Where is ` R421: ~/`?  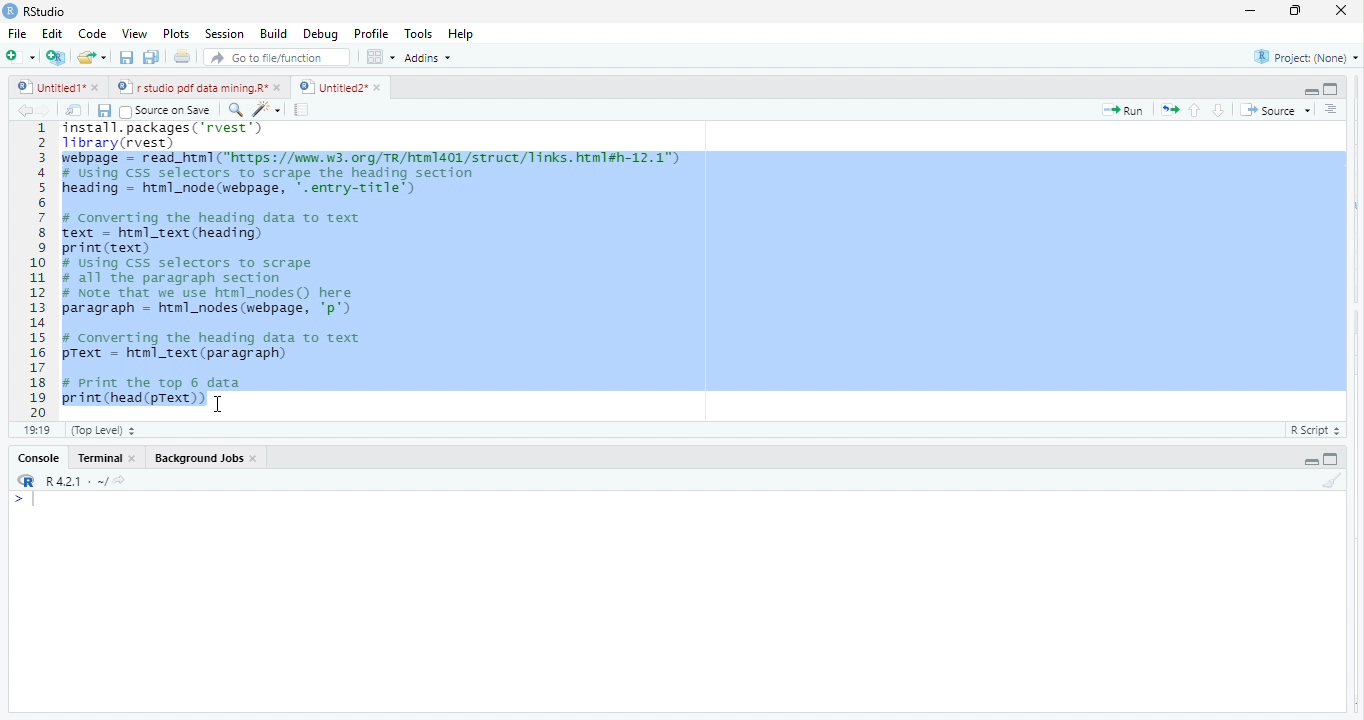
 R421: ~/ is located at coordinates (90, 481).